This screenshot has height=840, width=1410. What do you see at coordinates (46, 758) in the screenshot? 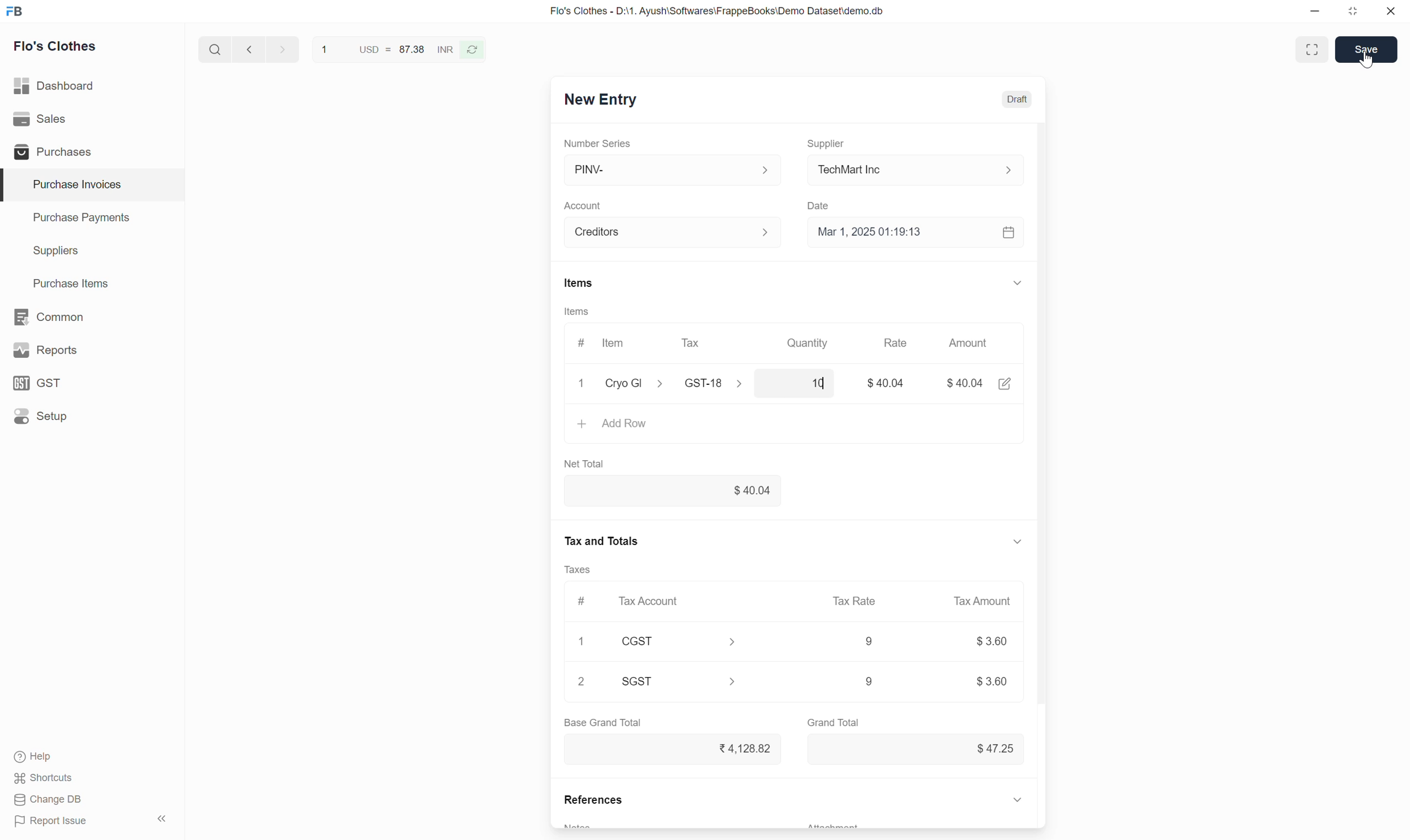
I see ` Help` at bounding box center [46, 758].